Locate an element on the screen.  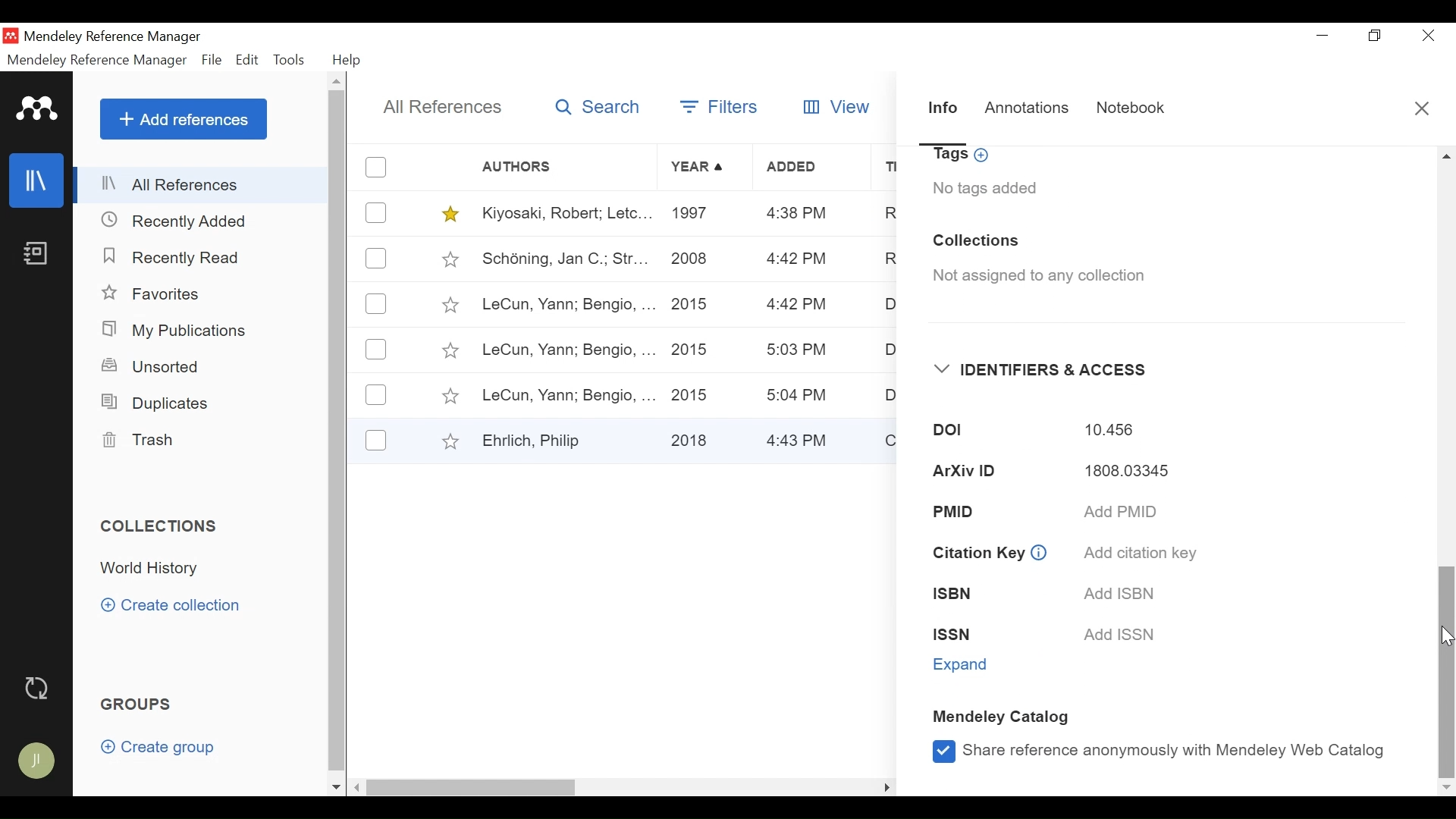
My Publications is located at coordinates (174, 331).